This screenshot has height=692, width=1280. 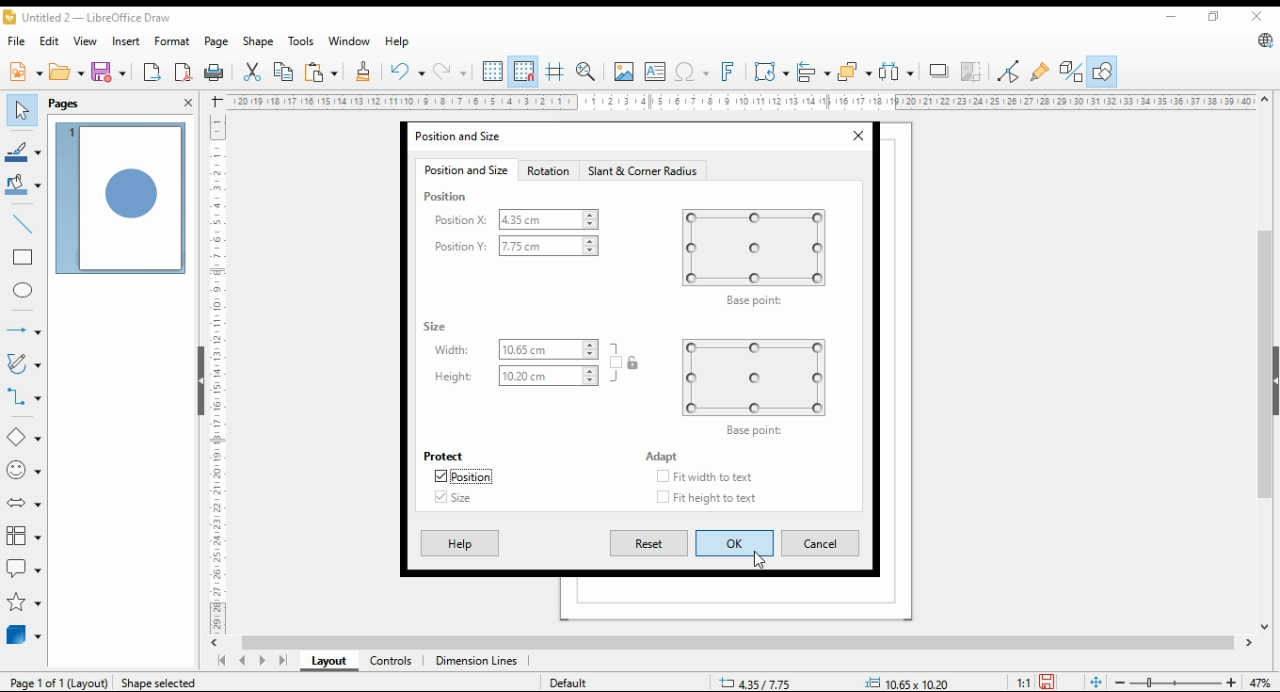 I want to click on position and size, so click(x=466, y=170).